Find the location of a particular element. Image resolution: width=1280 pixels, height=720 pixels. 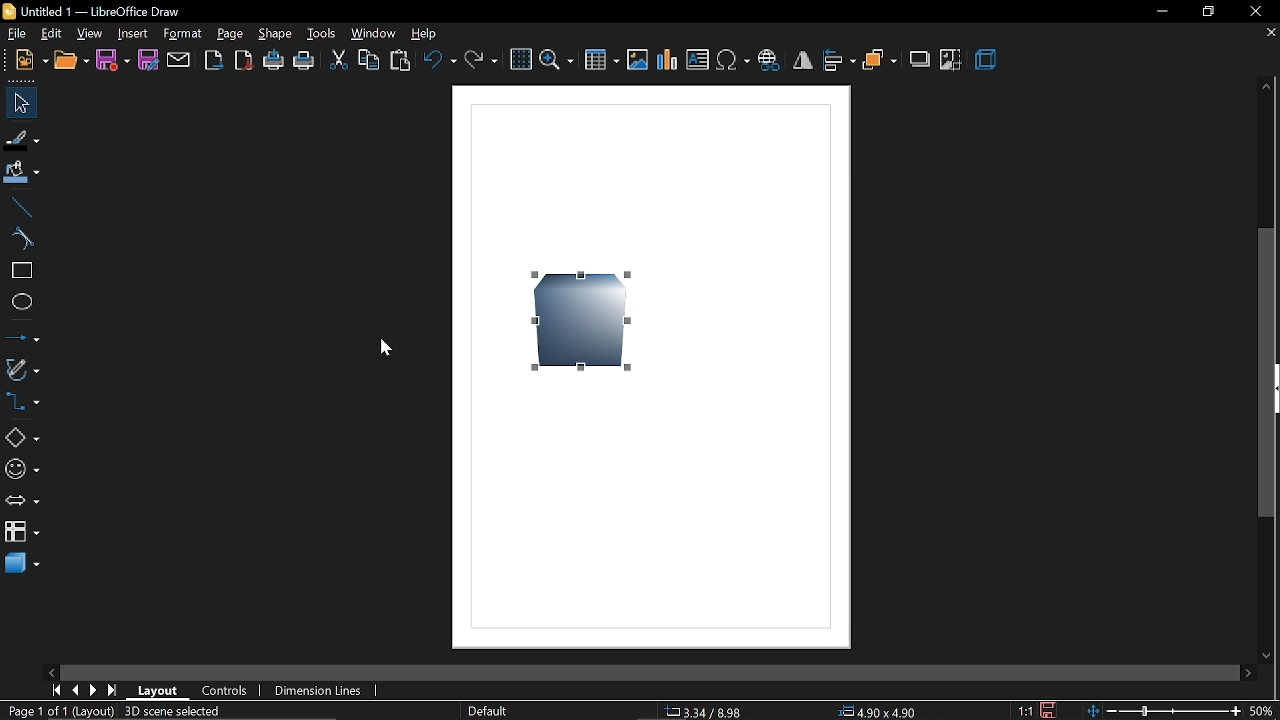

change zoom is located at coordinates (1160, 712).